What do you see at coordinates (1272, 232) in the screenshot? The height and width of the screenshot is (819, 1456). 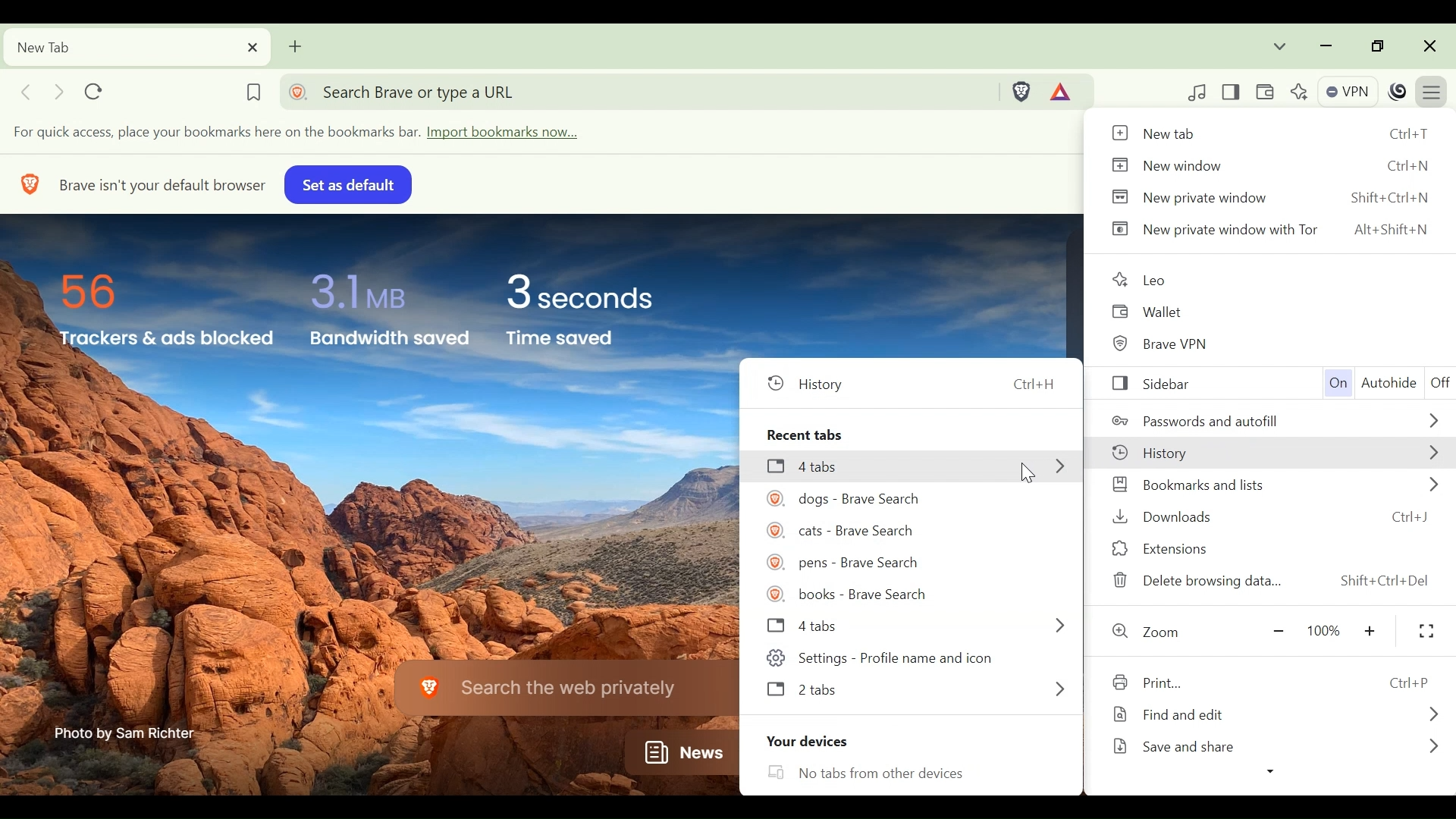 I see `New private window with Tor Alt+Shift+N` at bounding box center [1272, 232].